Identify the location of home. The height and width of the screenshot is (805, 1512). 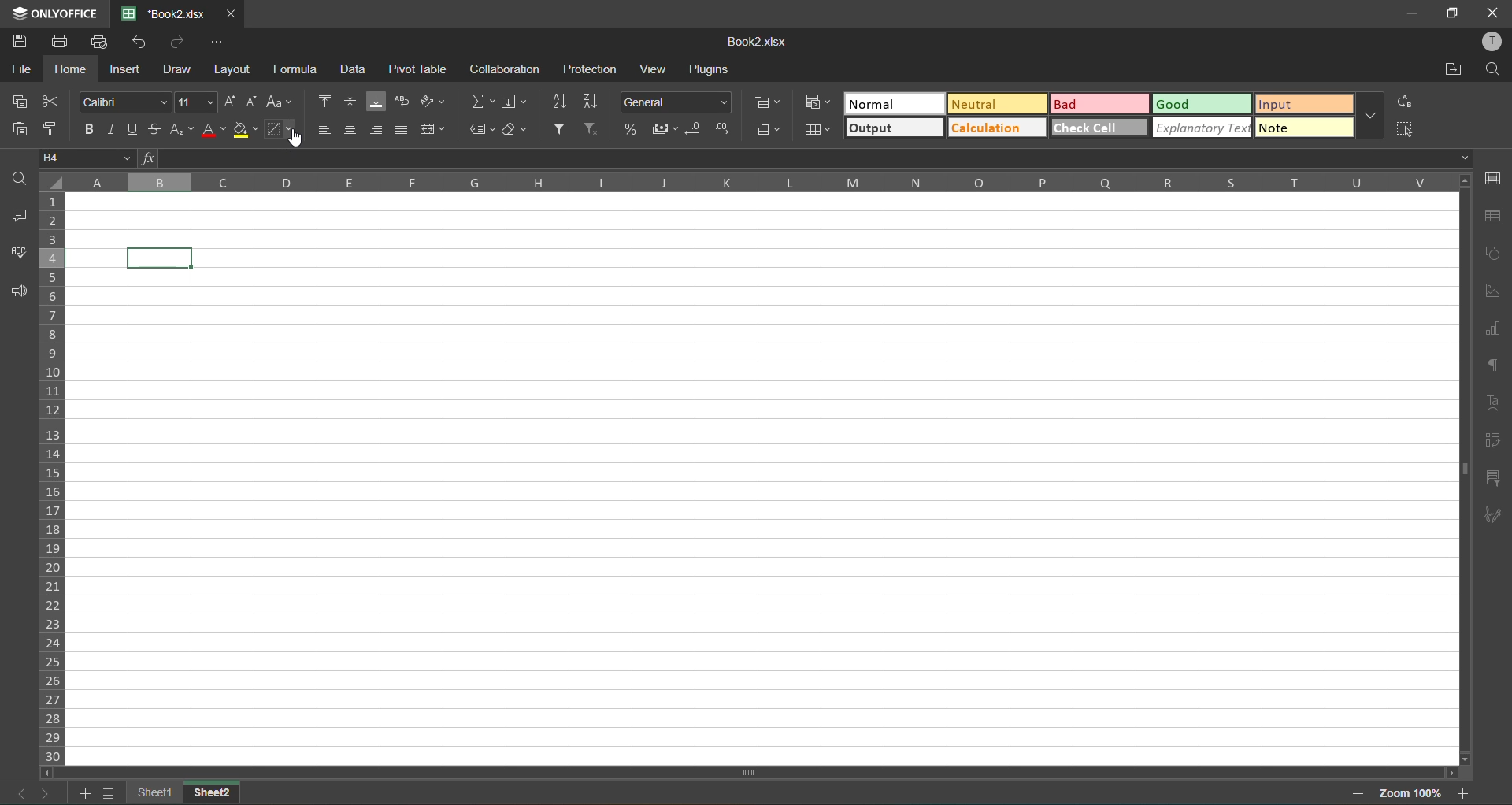
(74, 69).